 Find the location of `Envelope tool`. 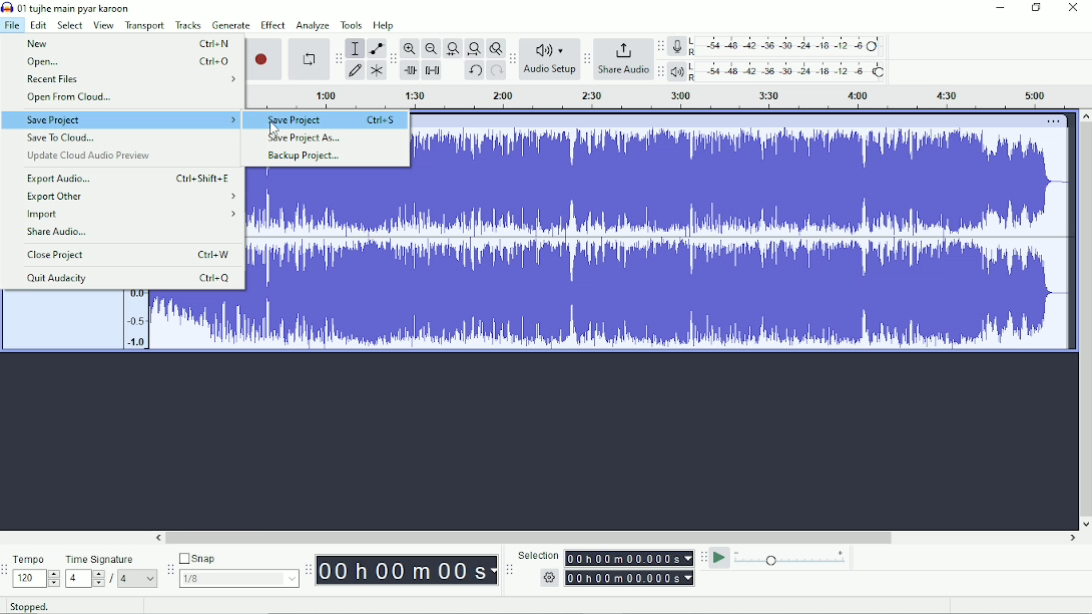

Envelope tool is located at coordinates (377, 49).